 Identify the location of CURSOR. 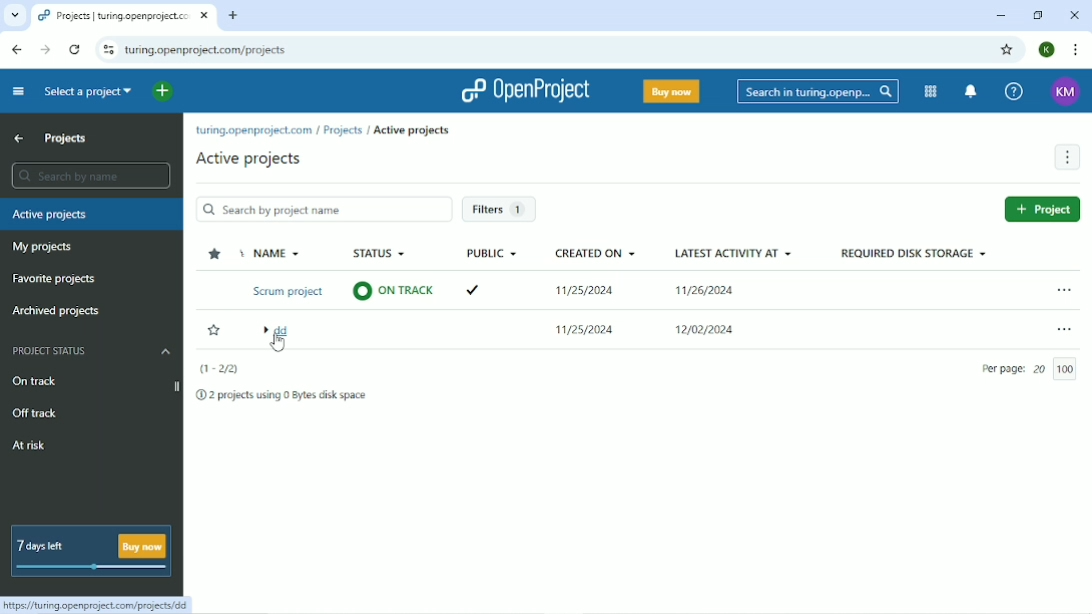
(277, 345).